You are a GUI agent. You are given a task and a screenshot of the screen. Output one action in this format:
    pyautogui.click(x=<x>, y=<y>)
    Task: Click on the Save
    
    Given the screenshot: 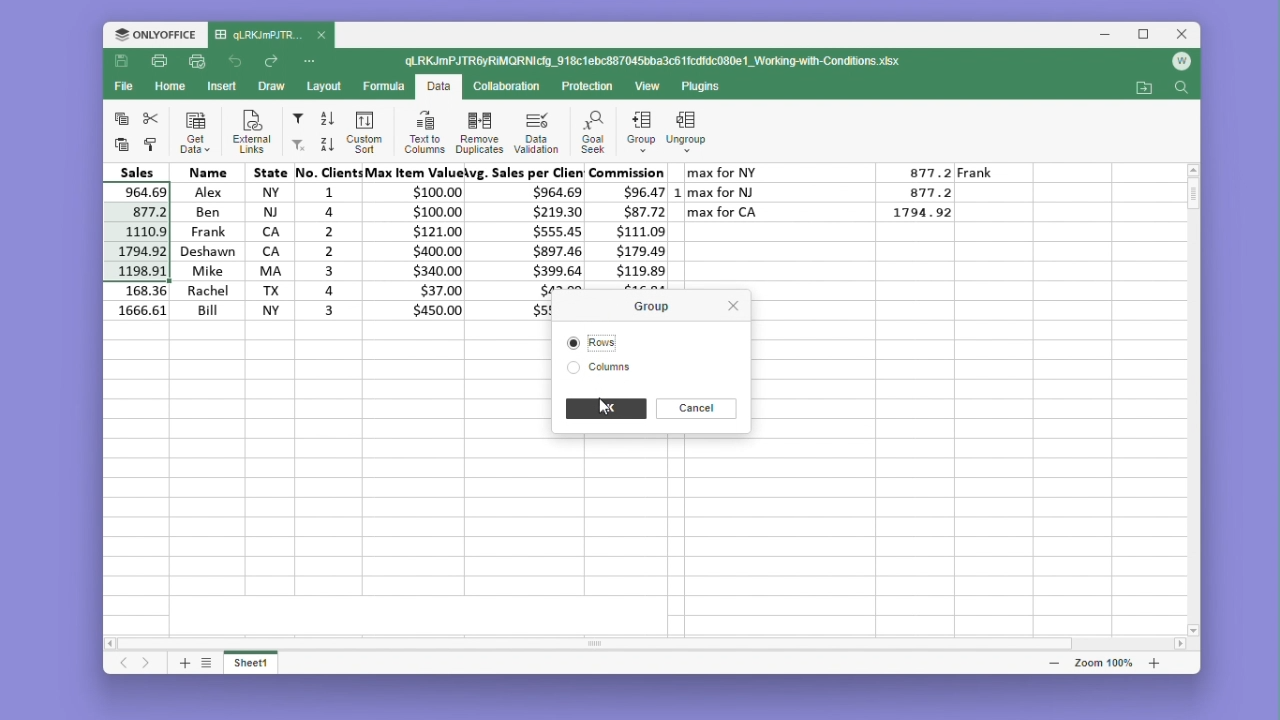 What is the action you would take?
    pyautogui.click(x=122, y=62)
    